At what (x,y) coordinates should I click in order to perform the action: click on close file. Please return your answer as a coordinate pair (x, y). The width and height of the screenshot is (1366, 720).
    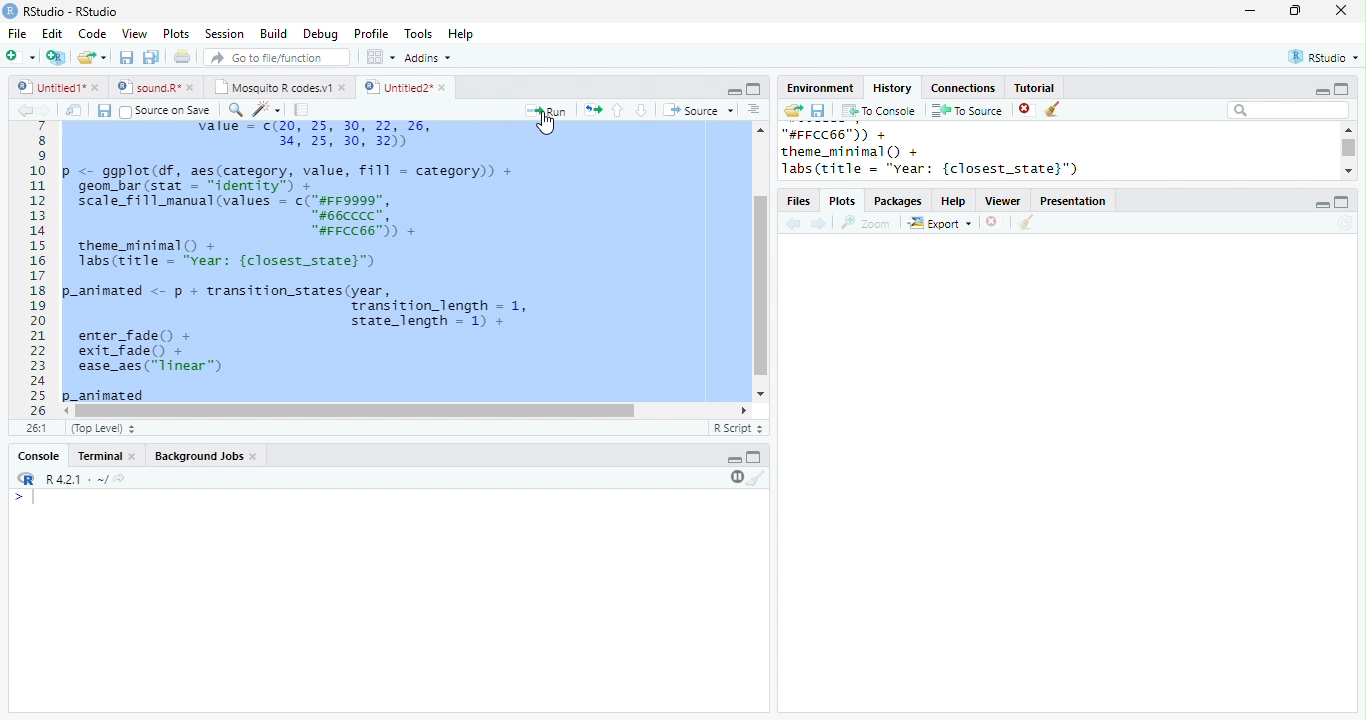
    Looking at the image, I should click on (1027, 109).